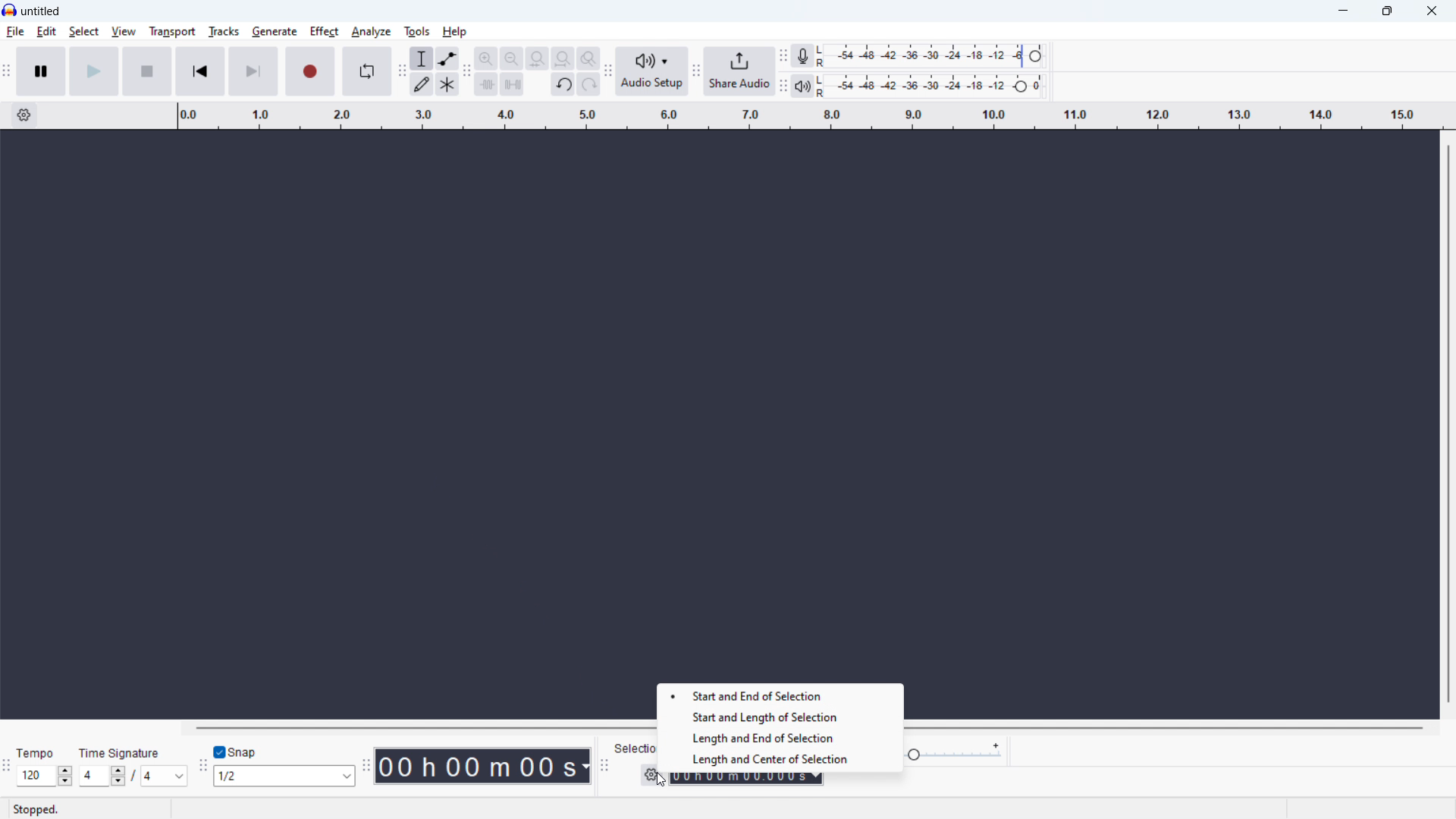 This screenshot has height=819, width=1456. Describe the element at coordinates (224, 31) in the screenshot. I see `tracks` at that location.